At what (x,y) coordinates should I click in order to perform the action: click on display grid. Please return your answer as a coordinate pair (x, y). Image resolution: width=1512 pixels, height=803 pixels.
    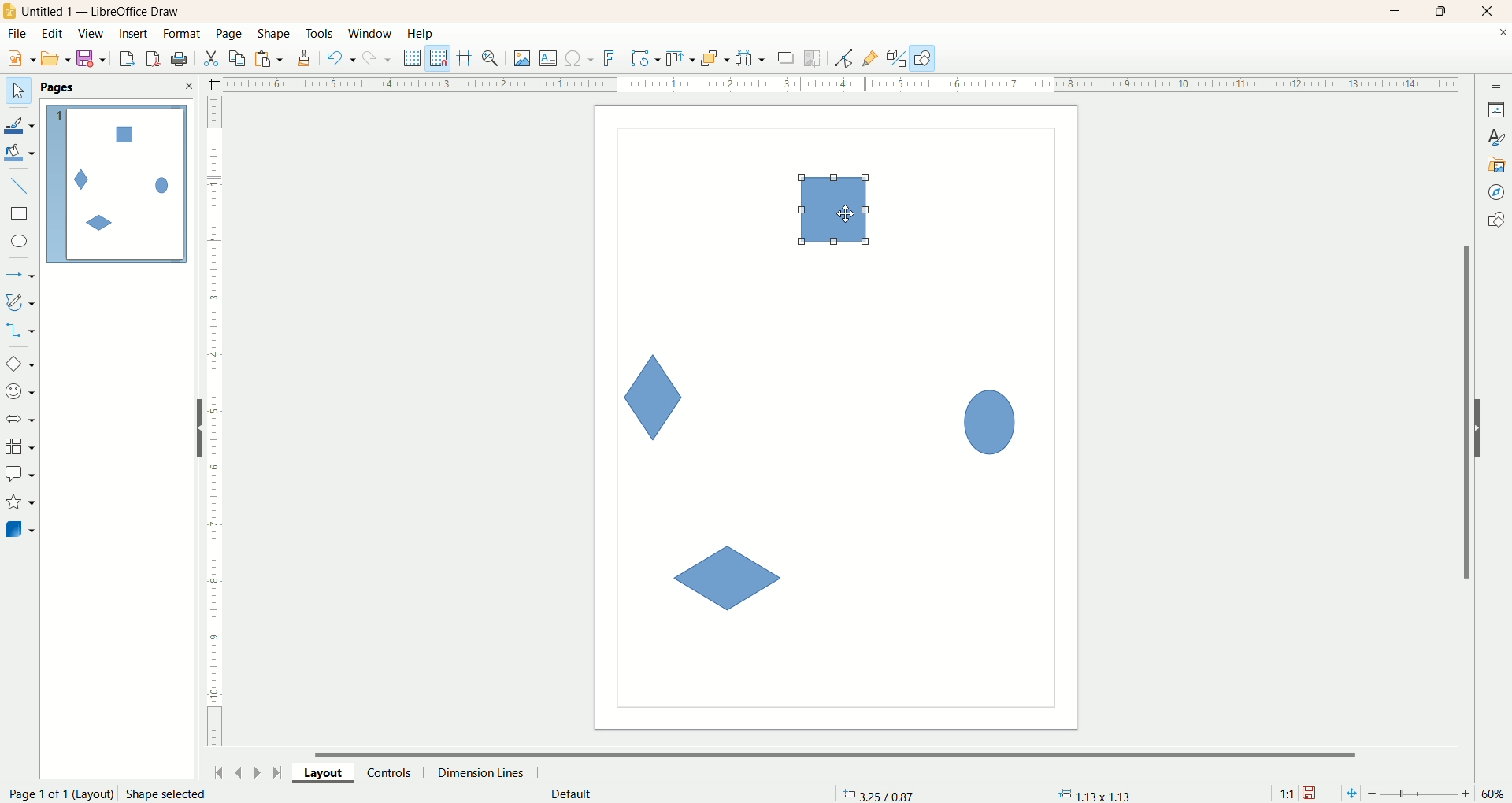
    Looking at the image, I should click on (413, 57).